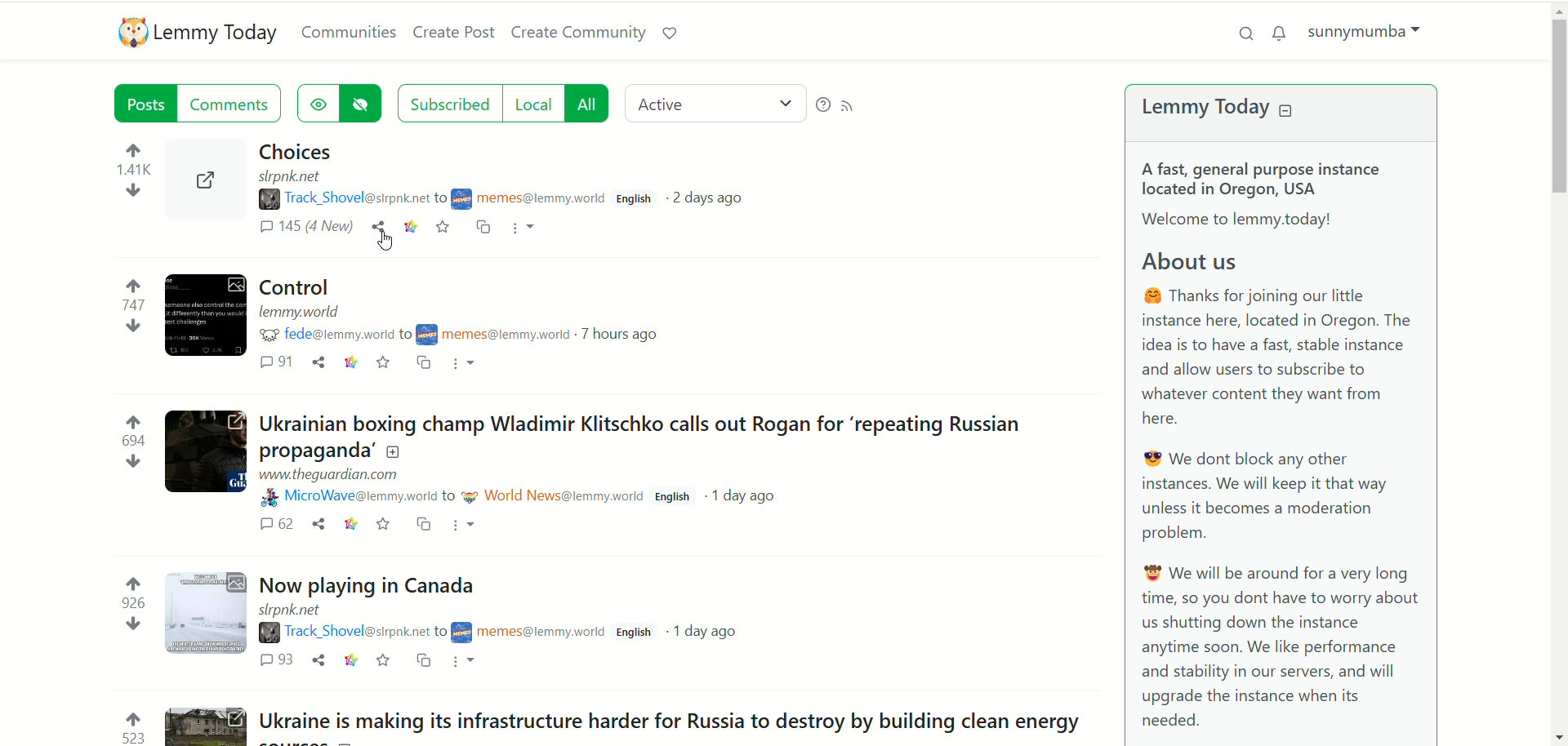 The image size is (1568, 746). I want to click on notification, so click(1282, 33).